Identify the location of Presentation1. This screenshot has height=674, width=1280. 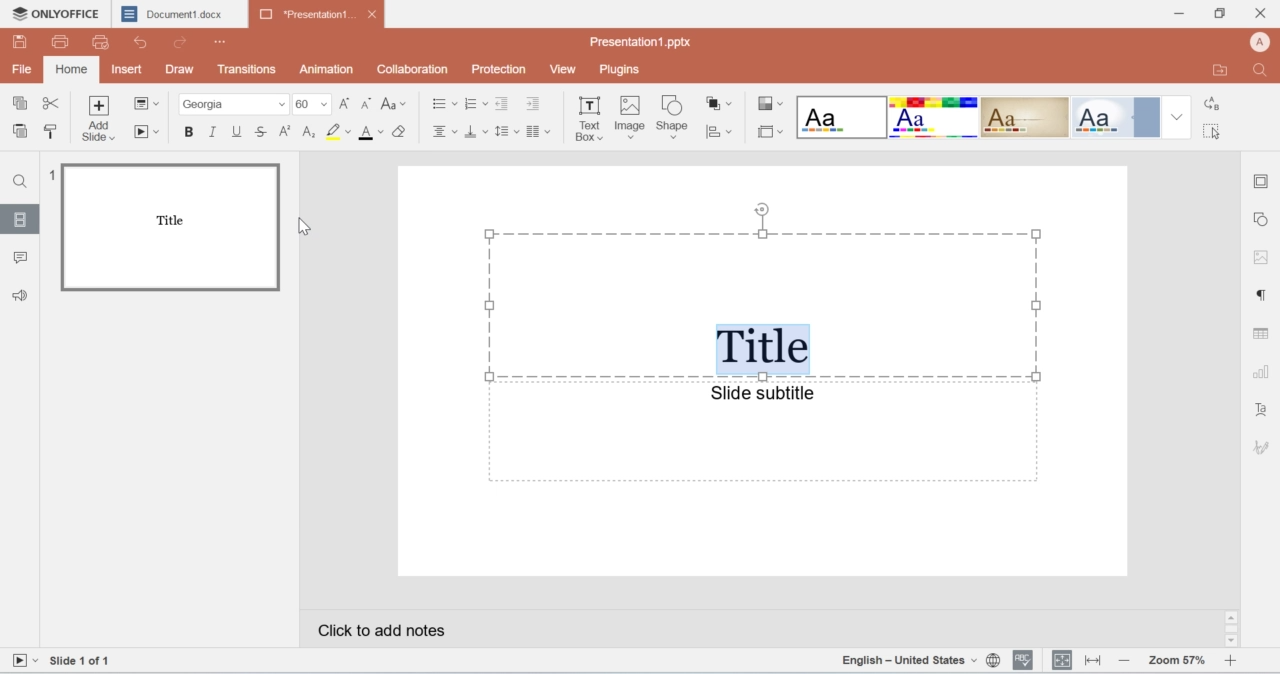
(319, 14).